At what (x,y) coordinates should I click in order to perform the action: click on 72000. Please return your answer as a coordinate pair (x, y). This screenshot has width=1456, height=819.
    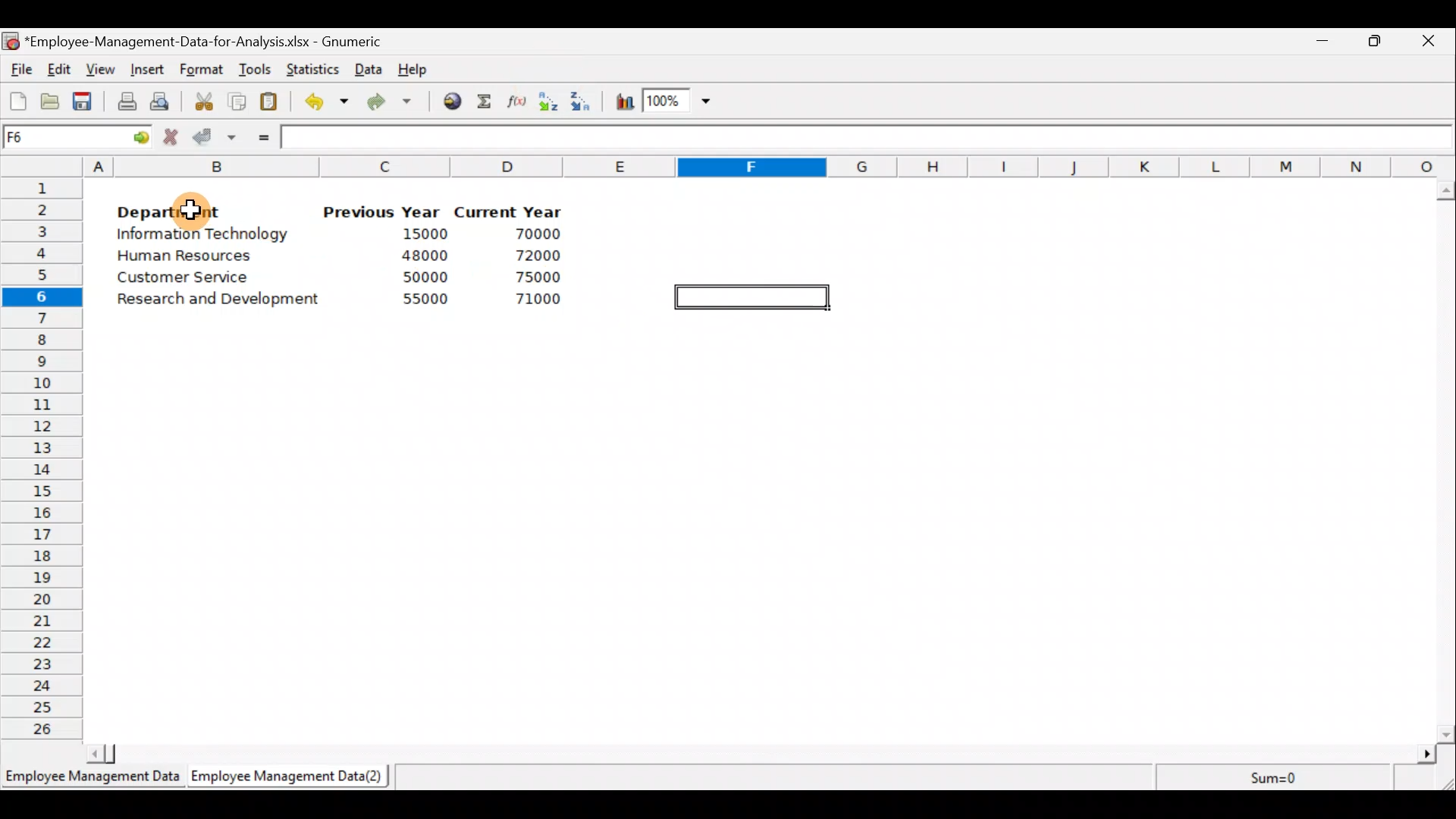
    Looking at the image, I should click on (532, 256).